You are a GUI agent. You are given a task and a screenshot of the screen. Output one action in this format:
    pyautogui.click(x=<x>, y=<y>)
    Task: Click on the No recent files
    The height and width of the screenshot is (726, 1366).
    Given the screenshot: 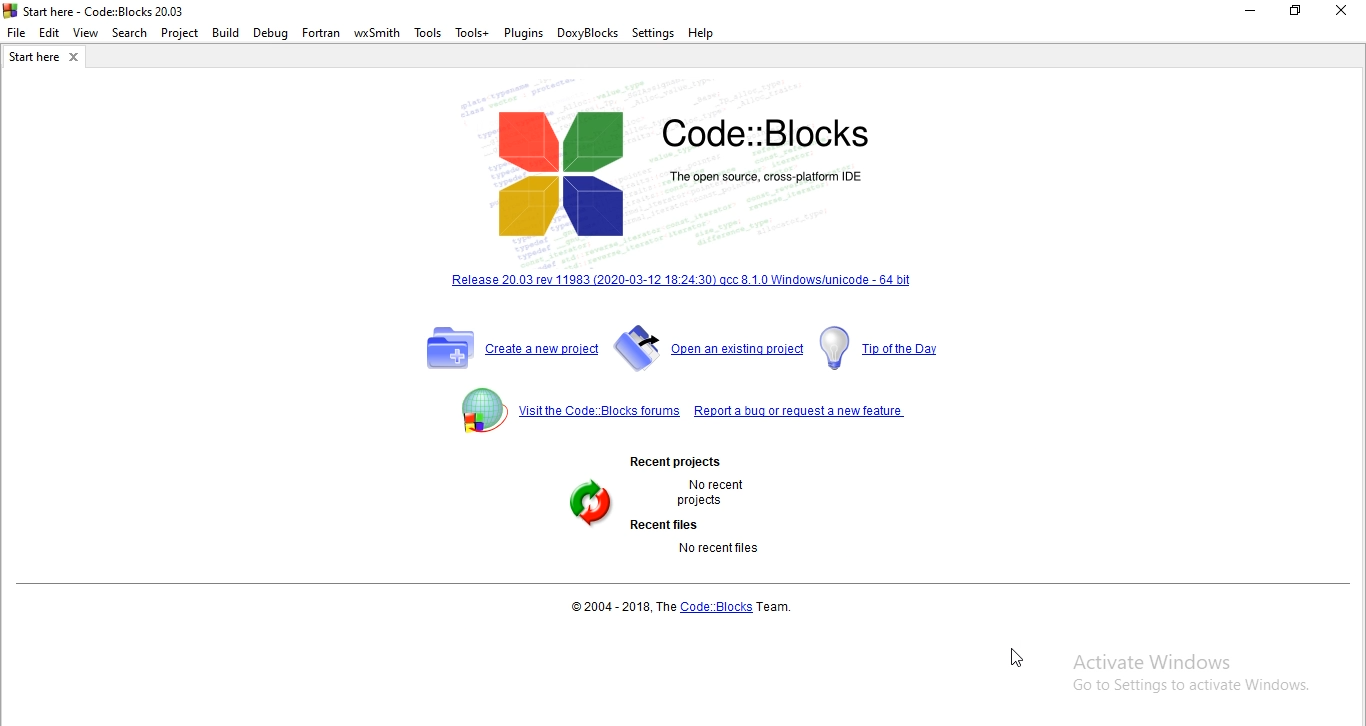 What is the action you would take?
    pyautogui.click(x=718, y=549)
    